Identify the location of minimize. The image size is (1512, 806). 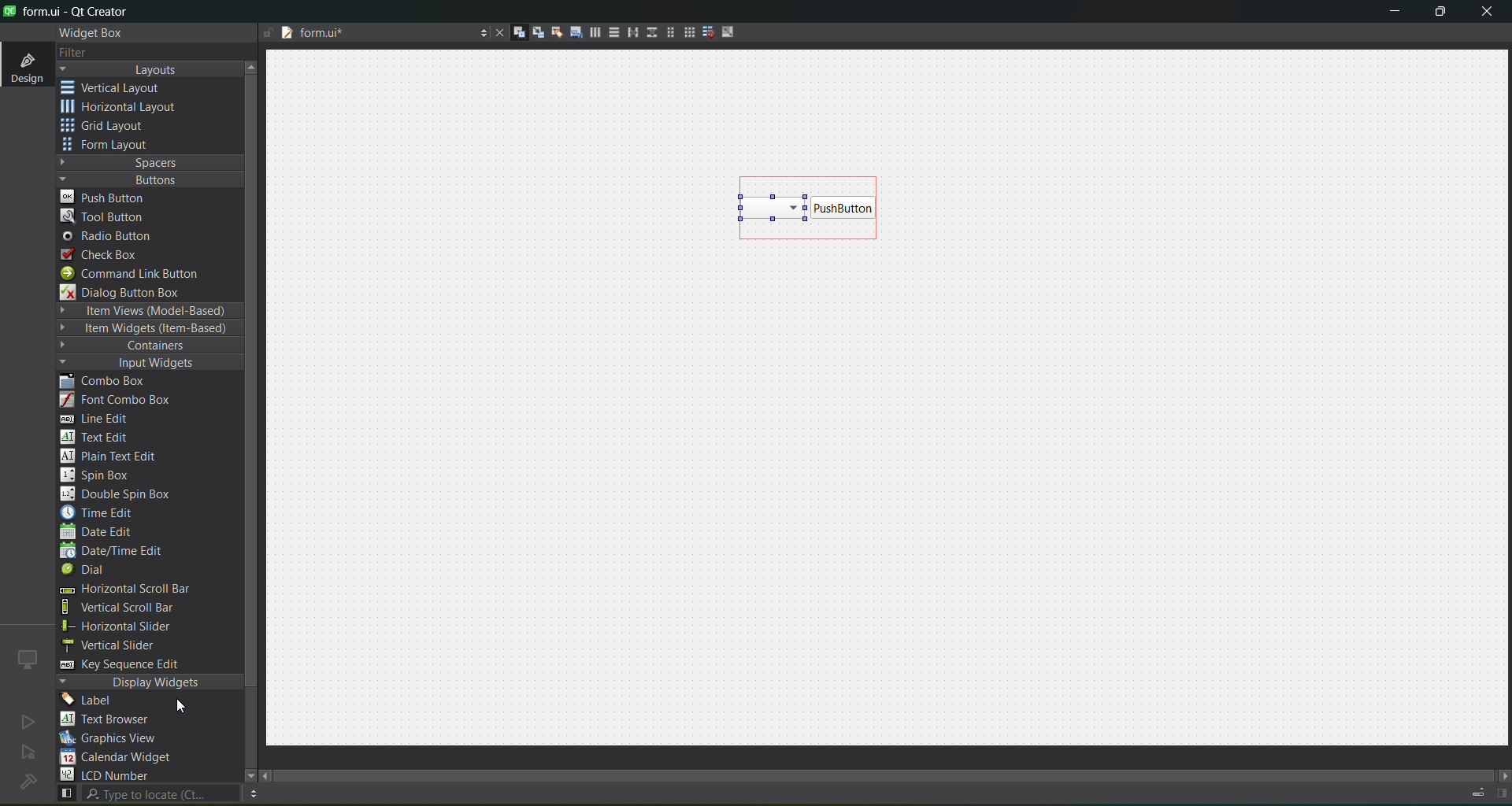
(1395, 14).